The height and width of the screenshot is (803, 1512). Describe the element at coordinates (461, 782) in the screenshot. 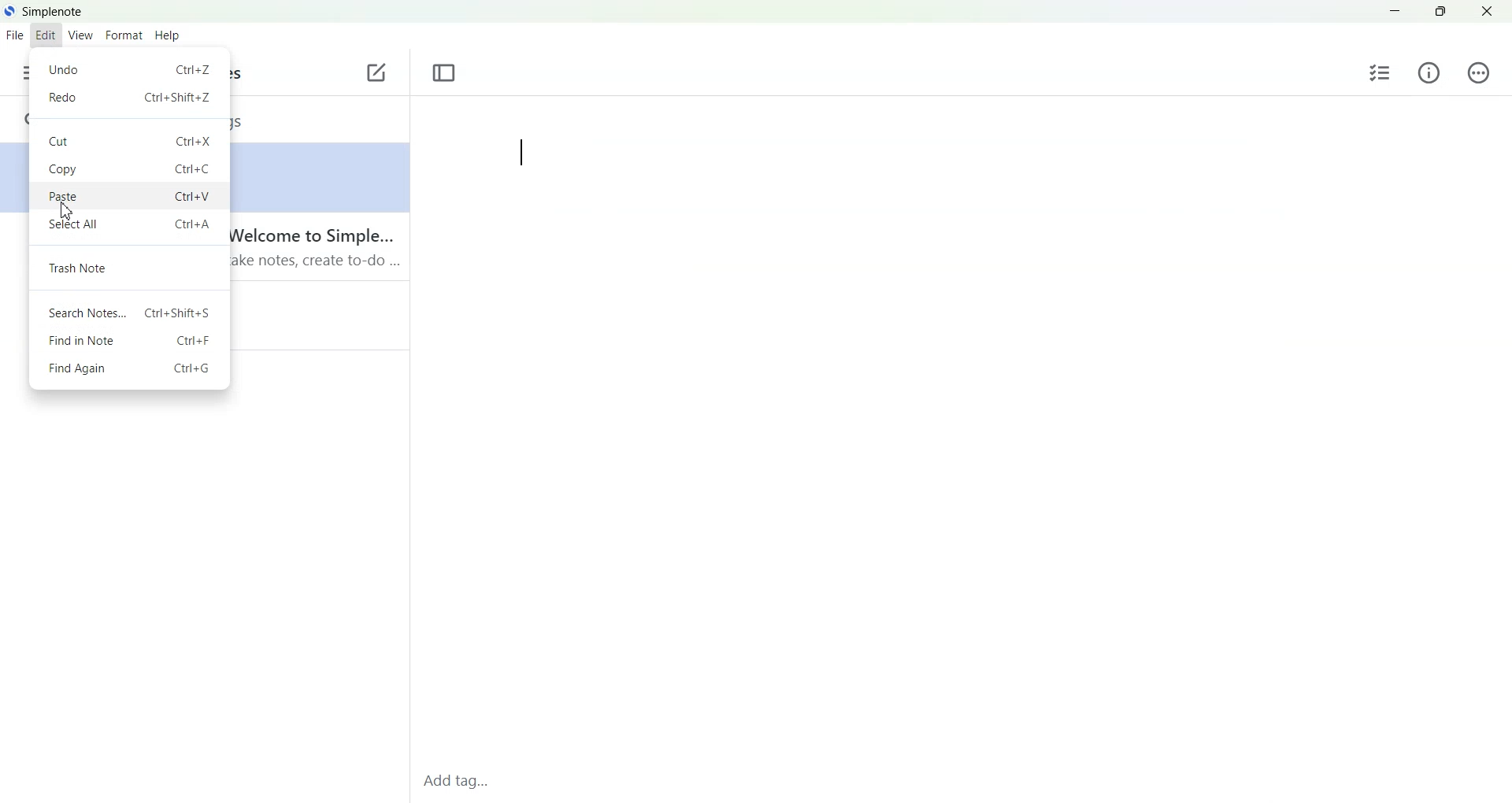

I see `Add Tags` at that location.